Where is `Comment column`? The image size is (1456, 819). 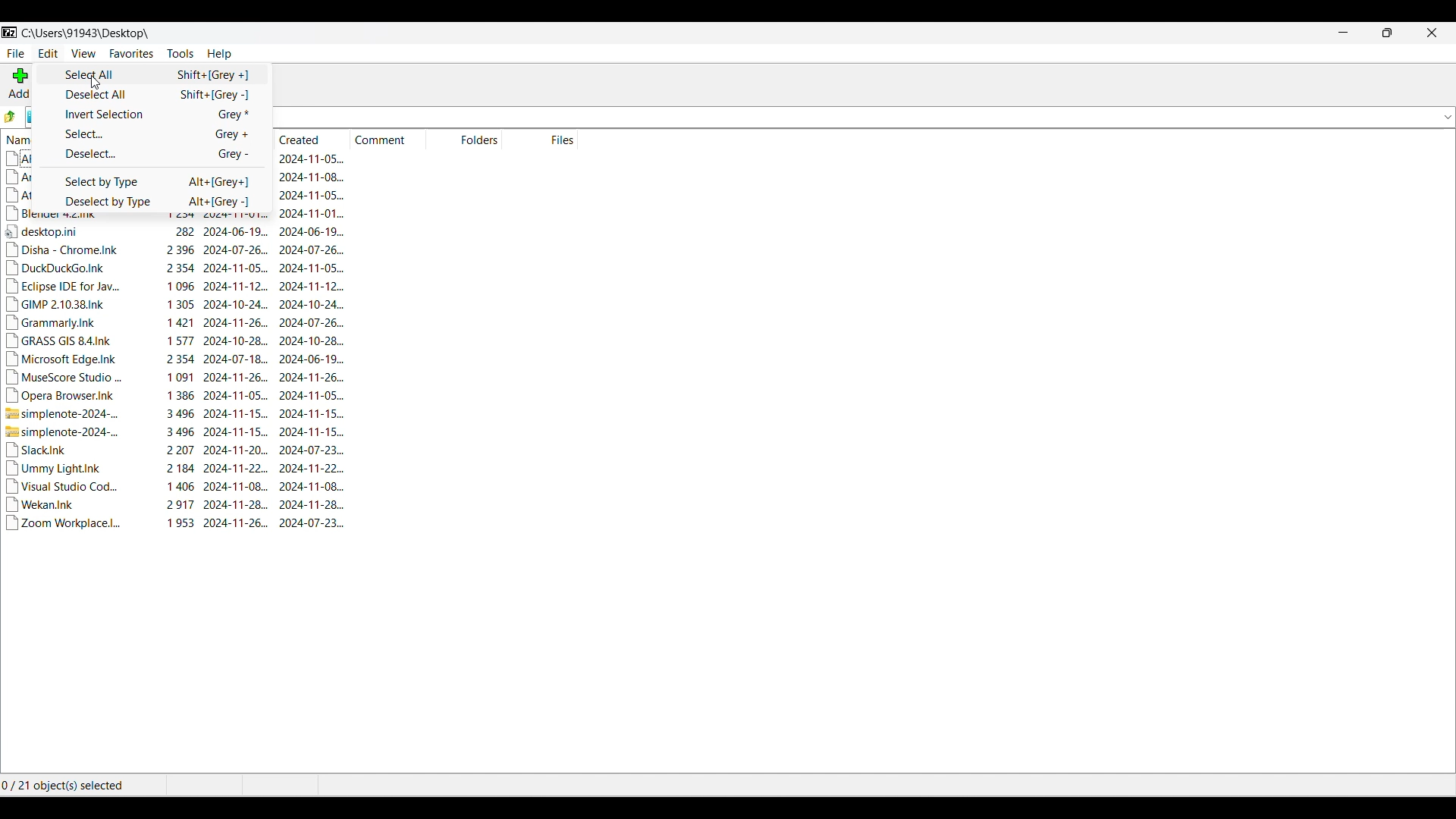 Comment column is located at coordinates (387, 139).